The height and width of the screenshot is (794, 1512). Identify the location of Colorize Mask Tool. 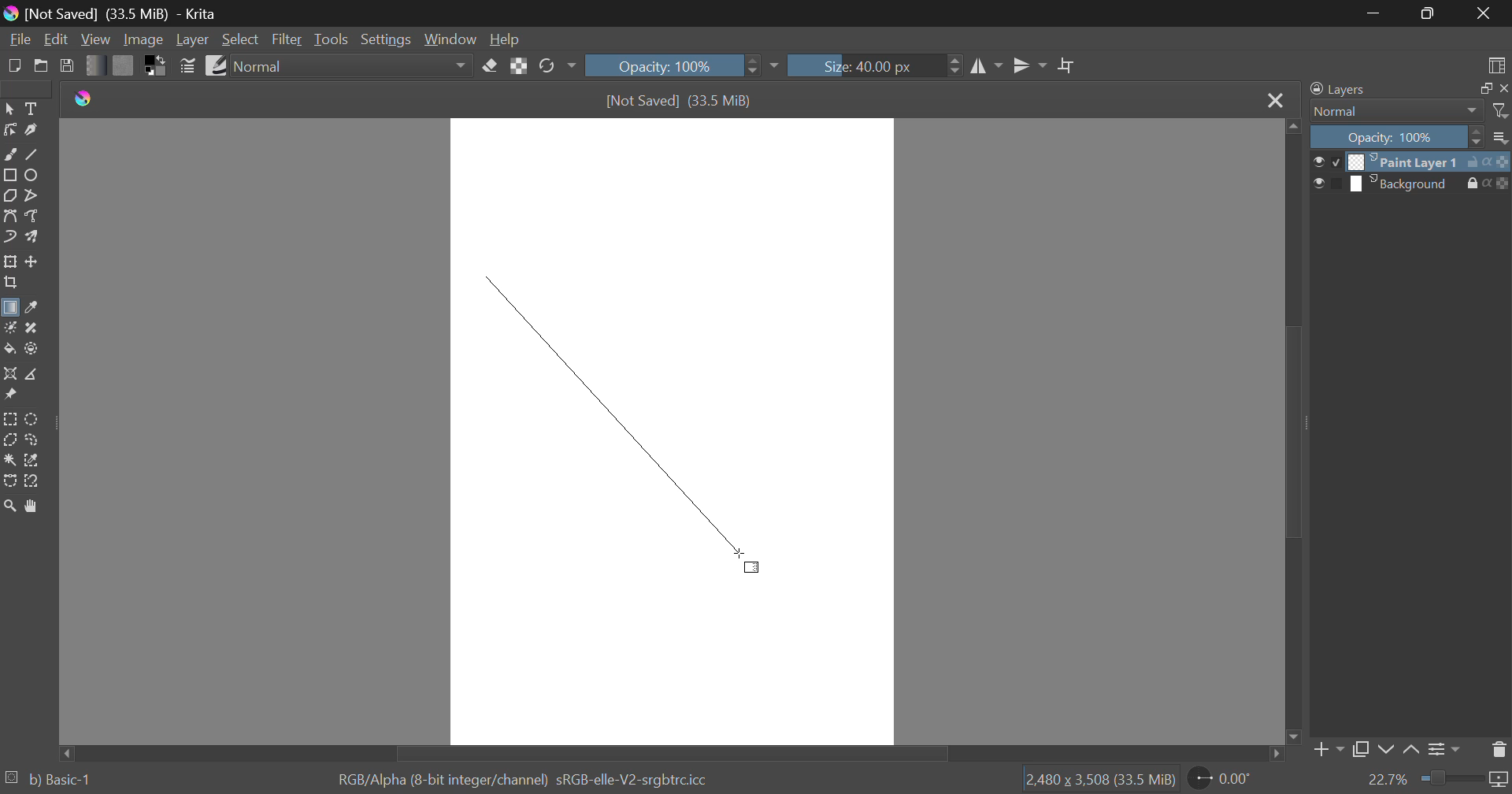
(9, 328).